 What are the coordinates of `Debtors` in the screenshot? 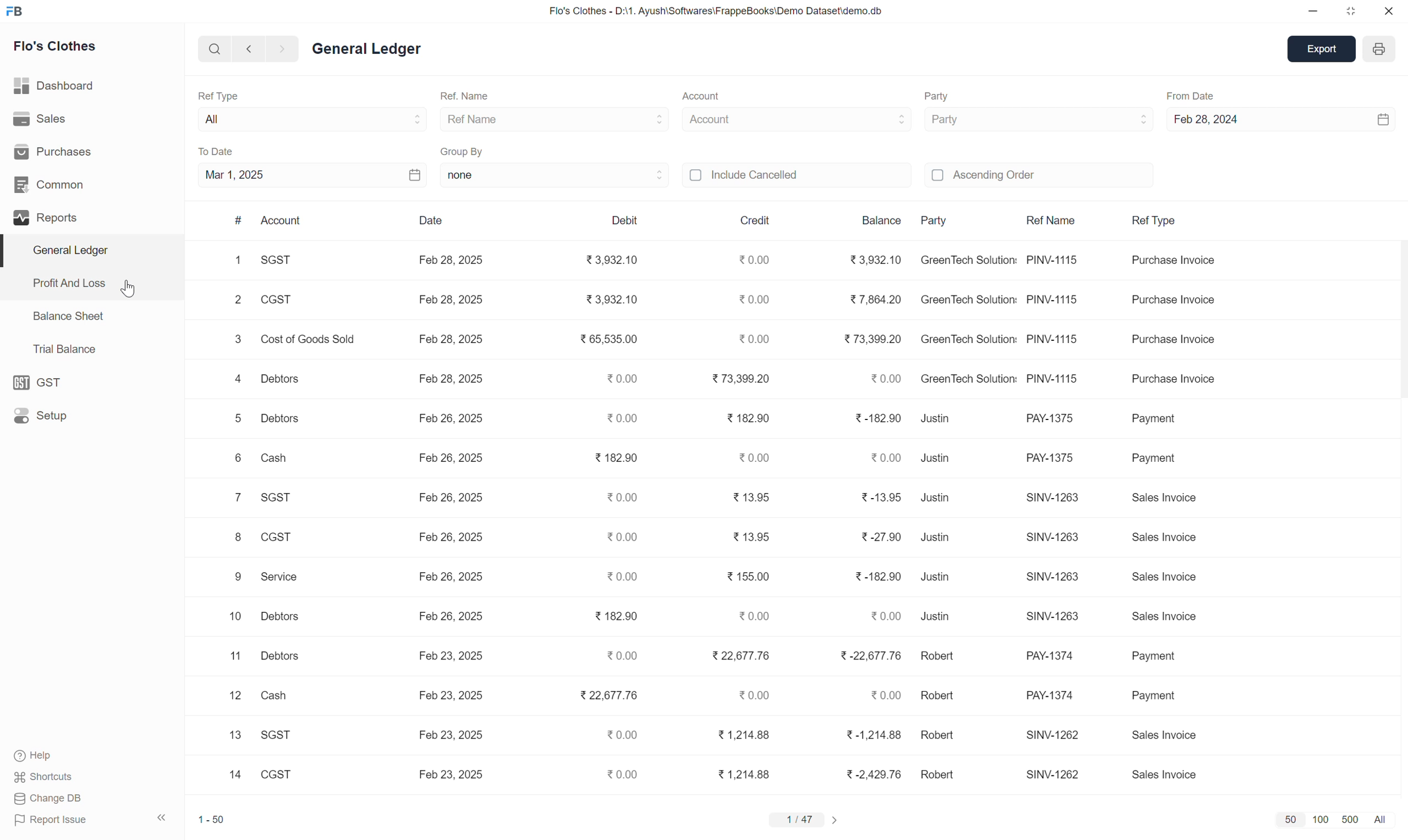 It's located at (287, 382).